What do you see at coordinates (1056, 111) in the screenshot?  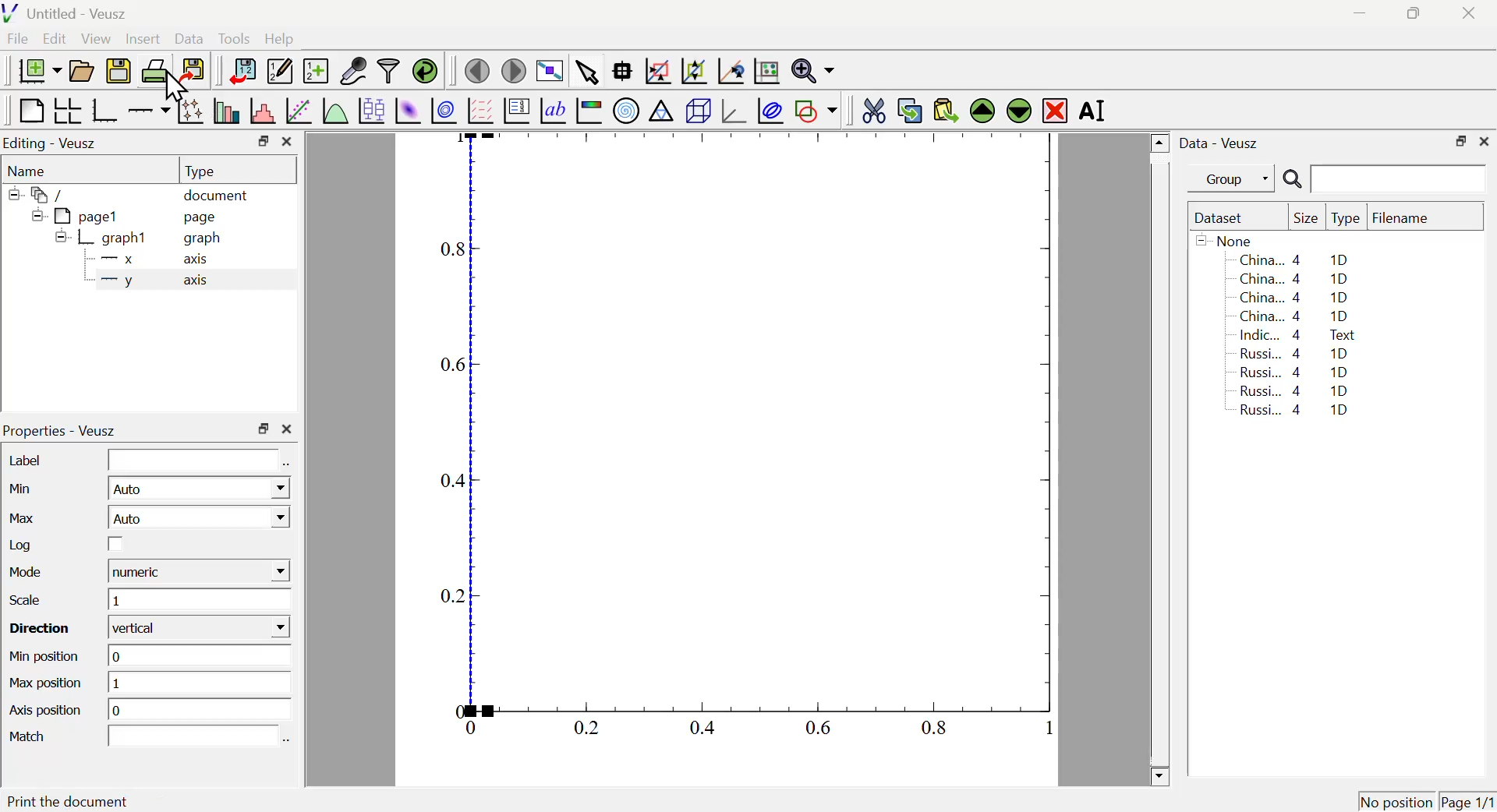 I see `Remove` at bounding box center [1056, 111].